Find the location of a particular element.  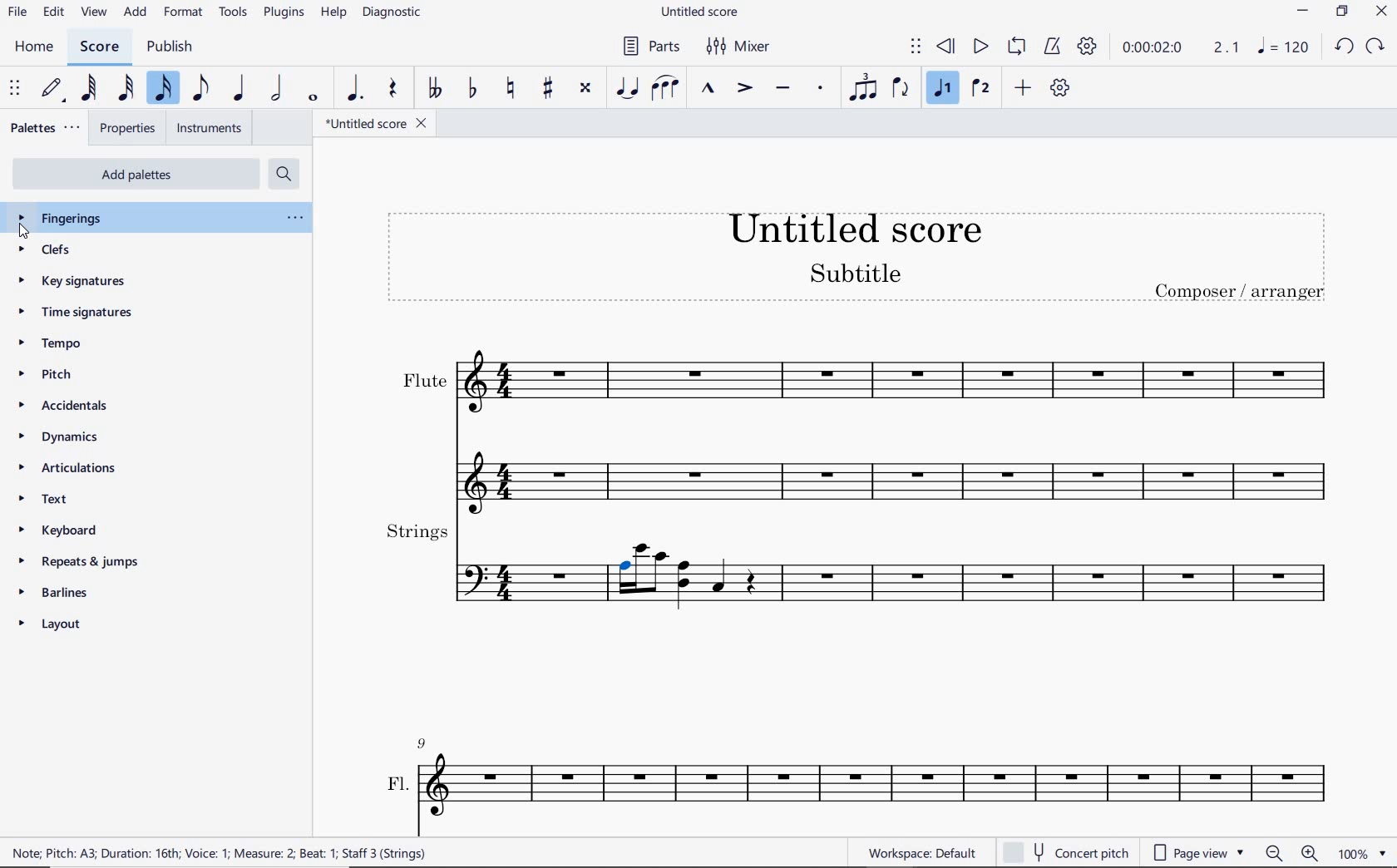

view is located at coordinates (94, 12).